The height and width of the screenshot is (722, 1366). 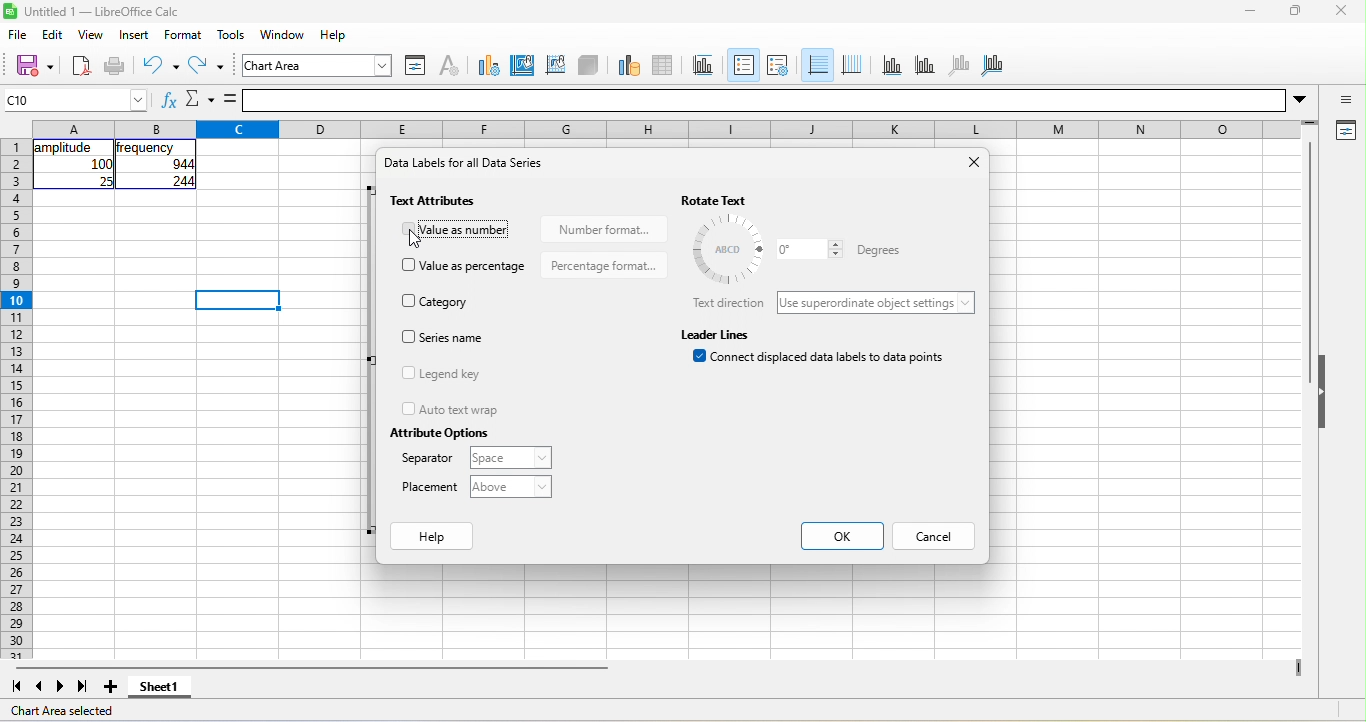 I want to click on save, so click(x=28, y=65).